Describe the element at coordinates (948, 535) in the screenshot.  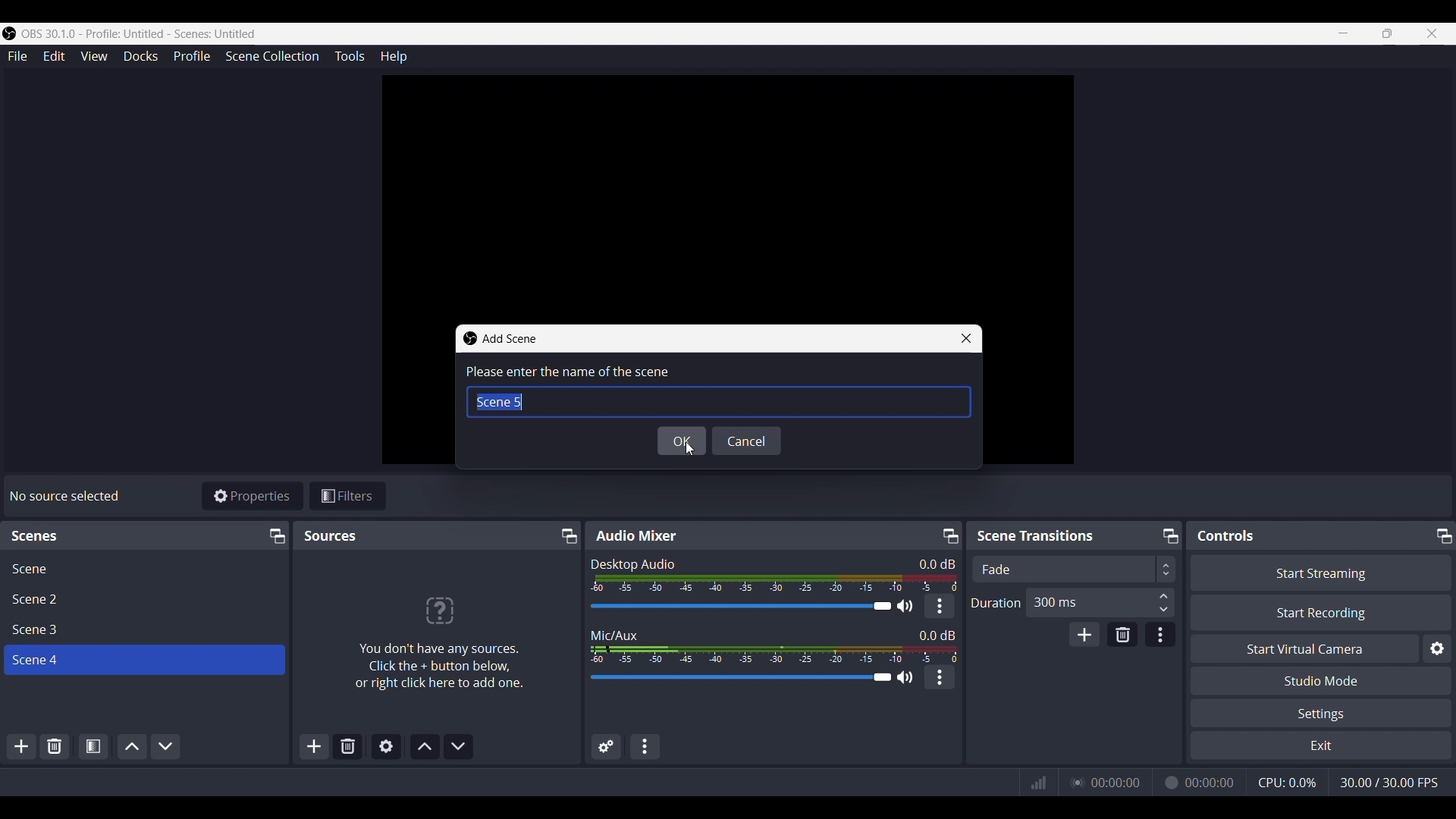
I see `Minimize` at that location.